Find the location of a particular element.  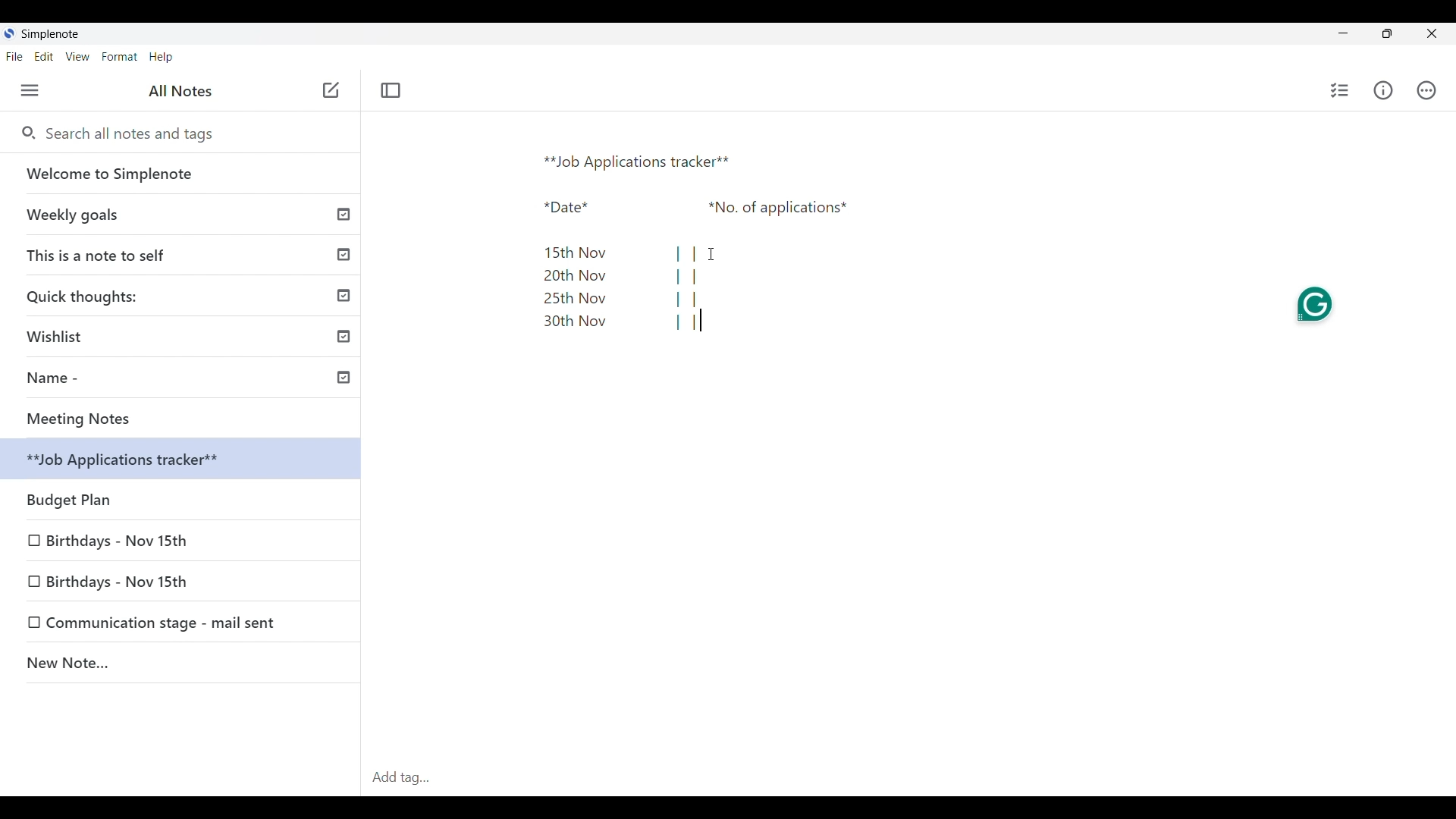

Maximize is located at coordinates (1387, 33).